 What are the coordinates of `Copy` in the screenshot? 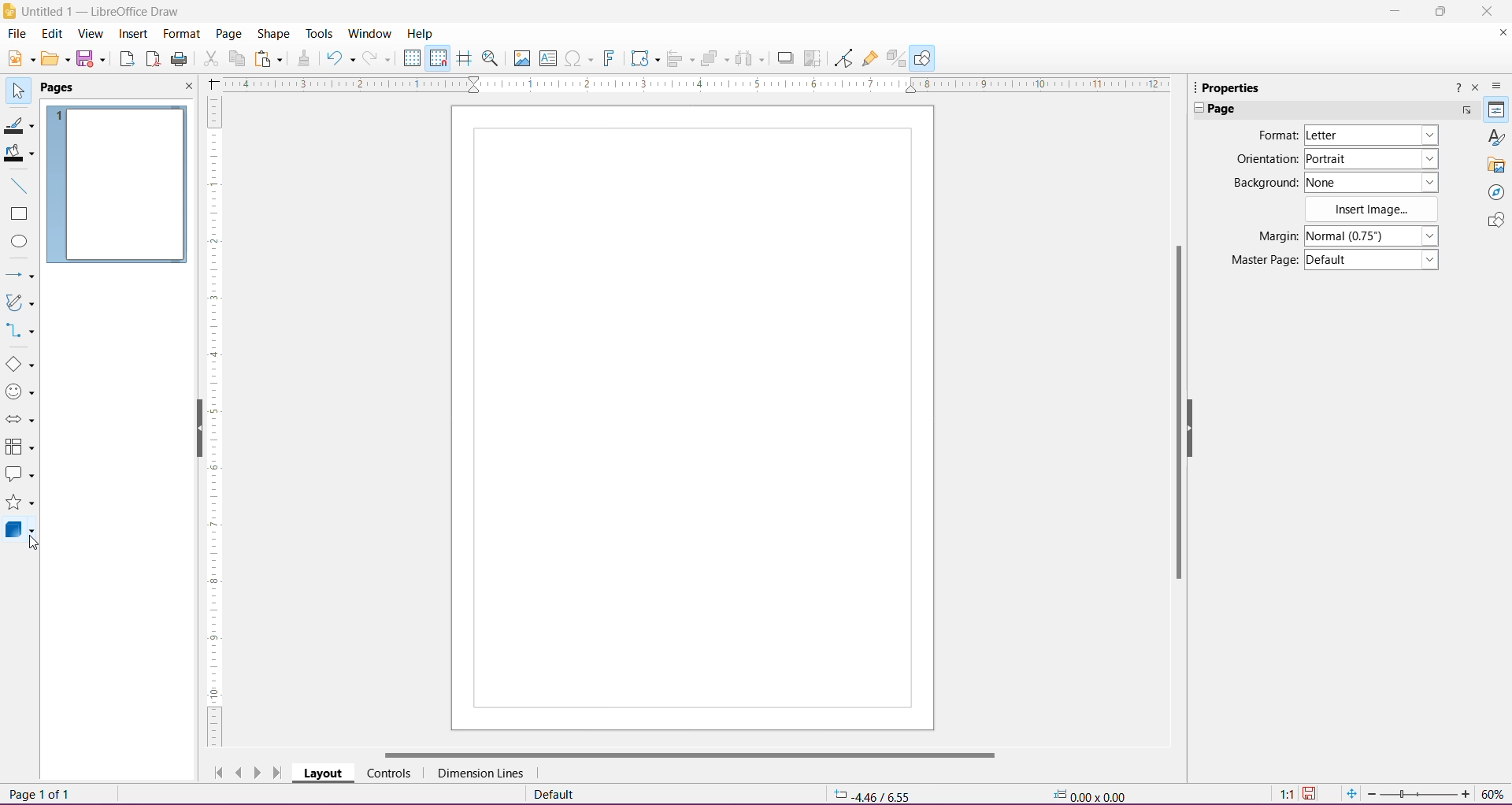 It's located at (236, 59).